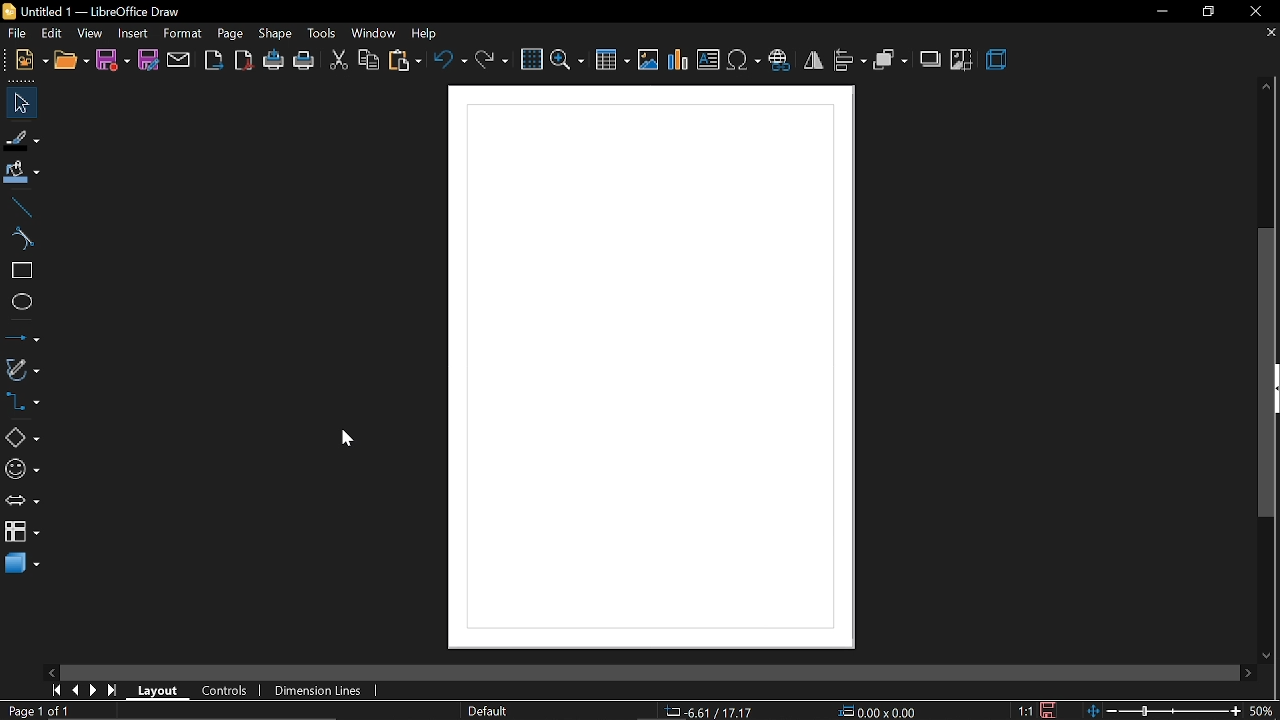 The height and width of the screenshot is (720, 1280). What do you see at coordinates (22, 338) in the screenshot?
I see `line and arrows` at bounding box center [22, 338].